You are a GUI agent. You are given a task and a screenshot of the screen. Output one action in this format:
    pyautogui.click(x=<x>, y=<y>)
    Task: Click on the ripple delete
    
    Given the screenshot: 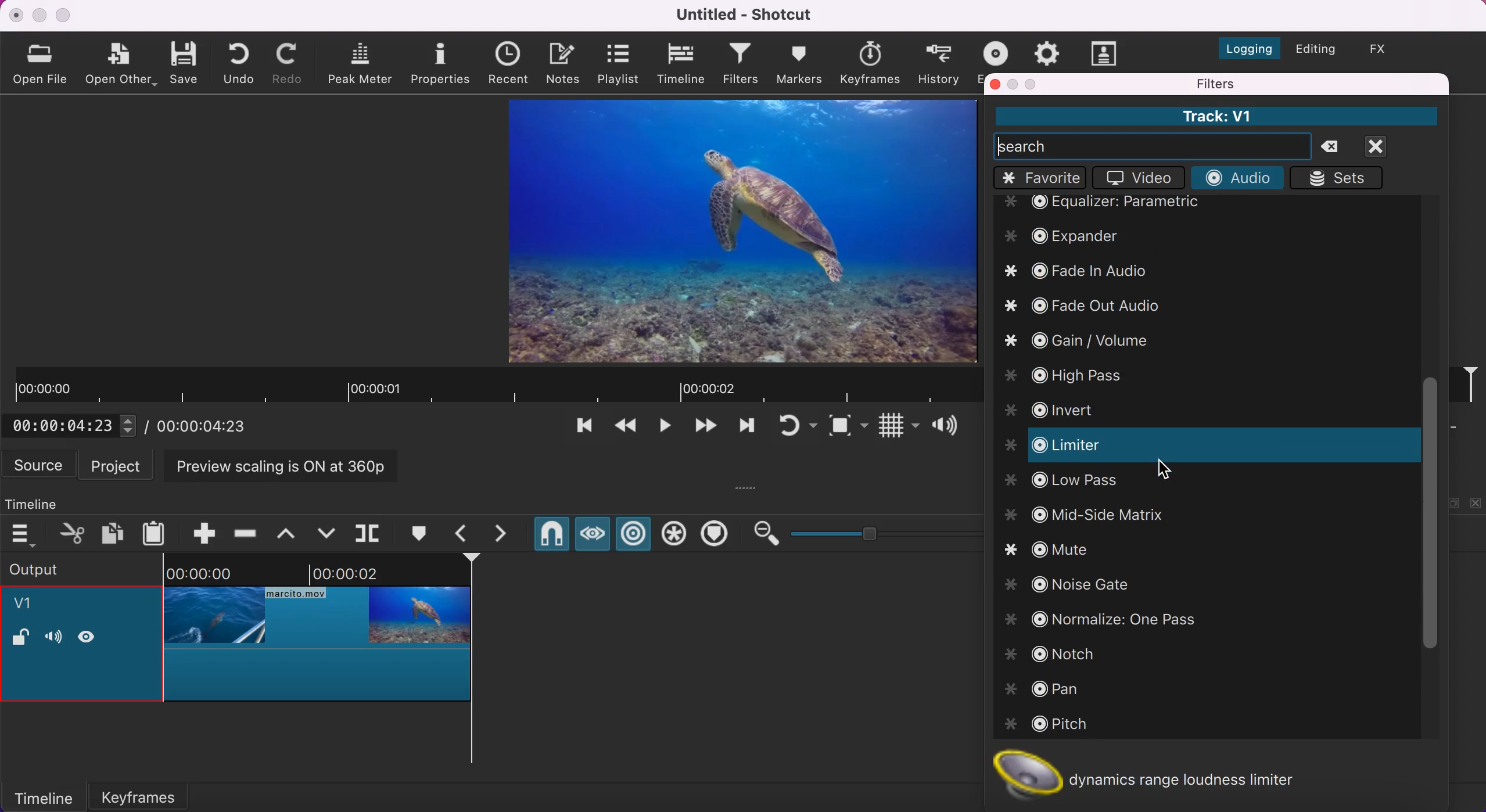 What is the action you would take?
    pyautogui.click(x=246, y=530)
    